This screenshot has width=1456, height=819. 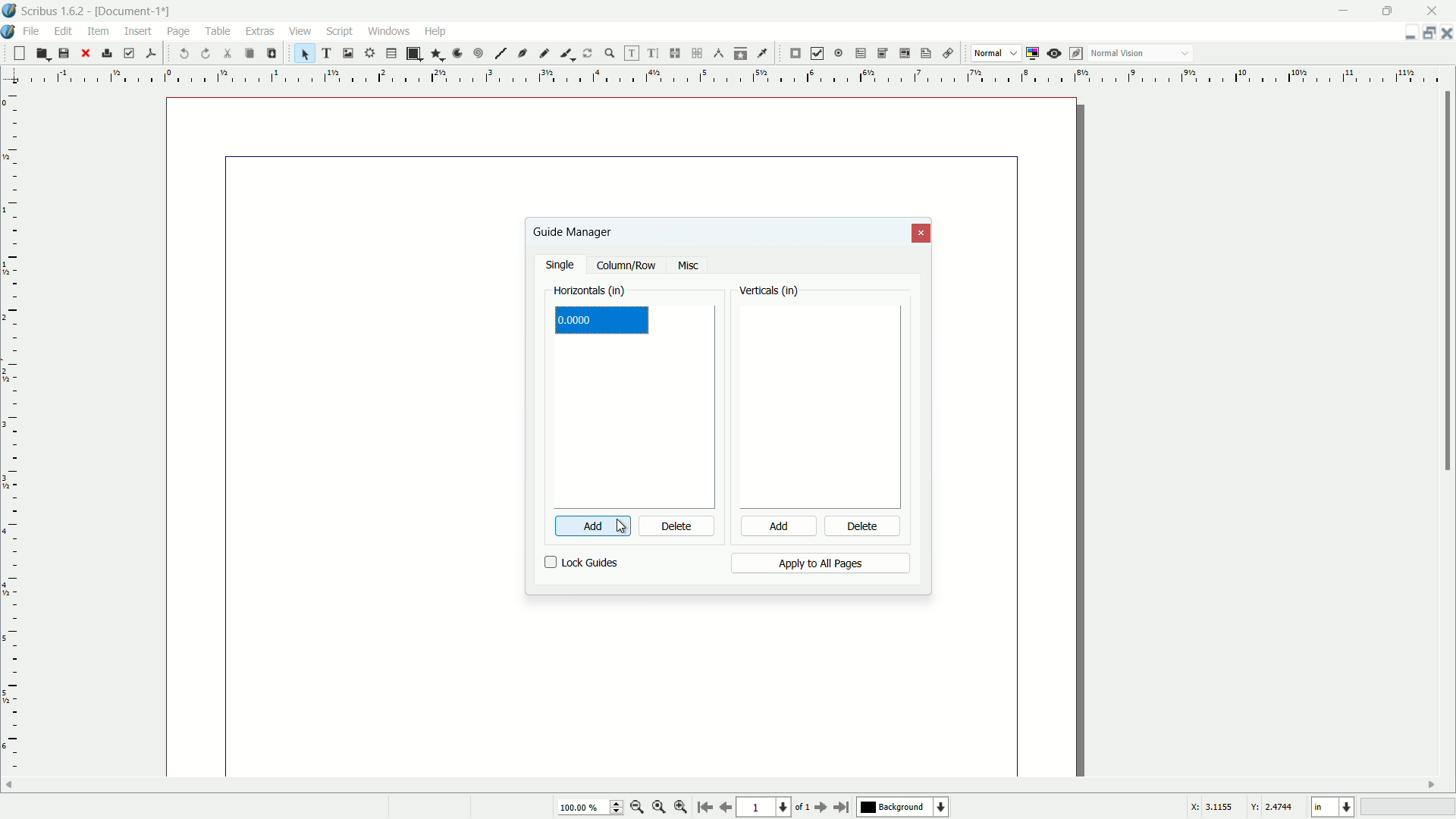 What do you see at coordinates (53, 12) in the screenshot?
I see `app name` at bounding box center [53, 12].